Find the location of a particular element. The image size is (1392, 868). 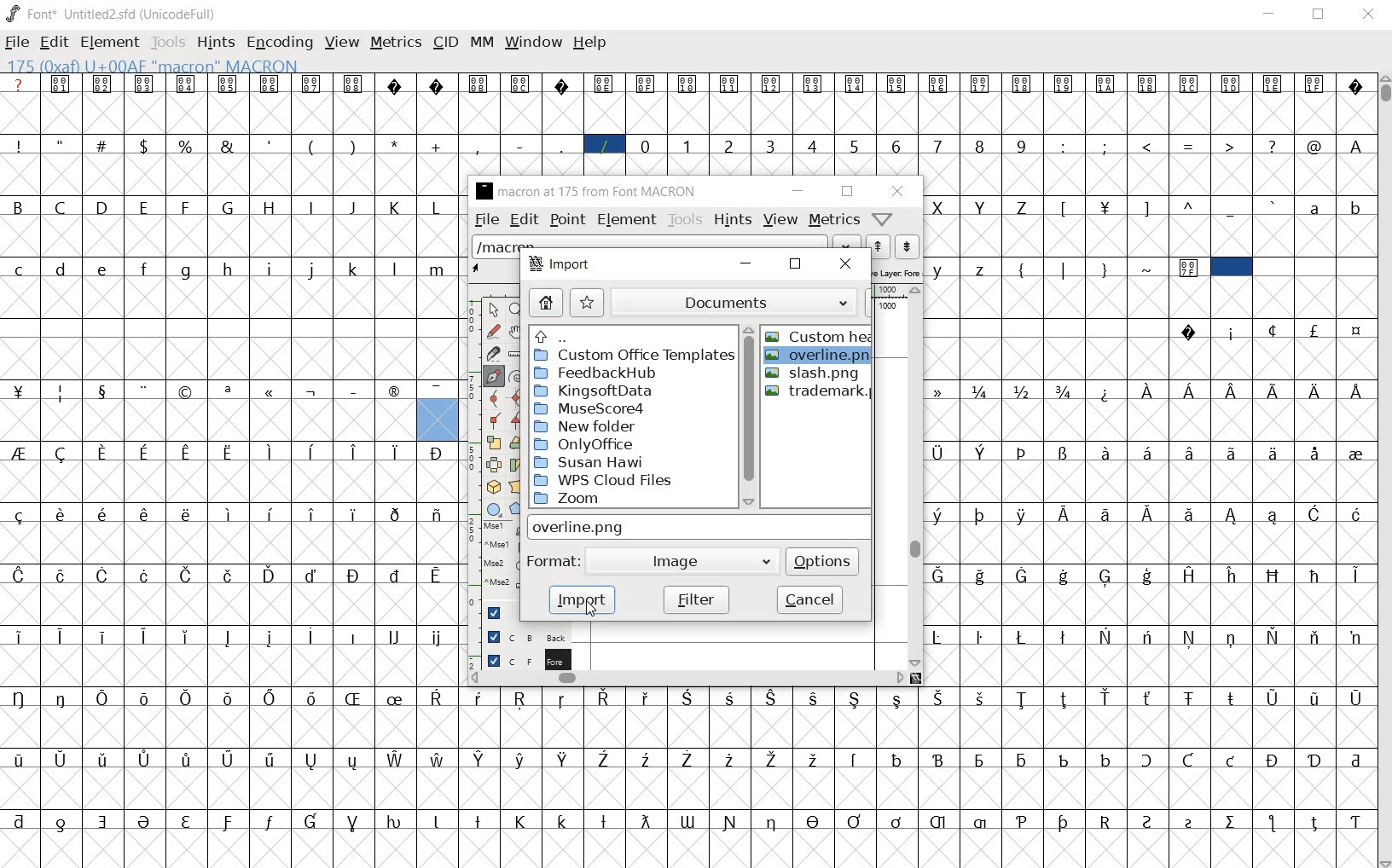

Symbol is located at coordinates (1191, 638).